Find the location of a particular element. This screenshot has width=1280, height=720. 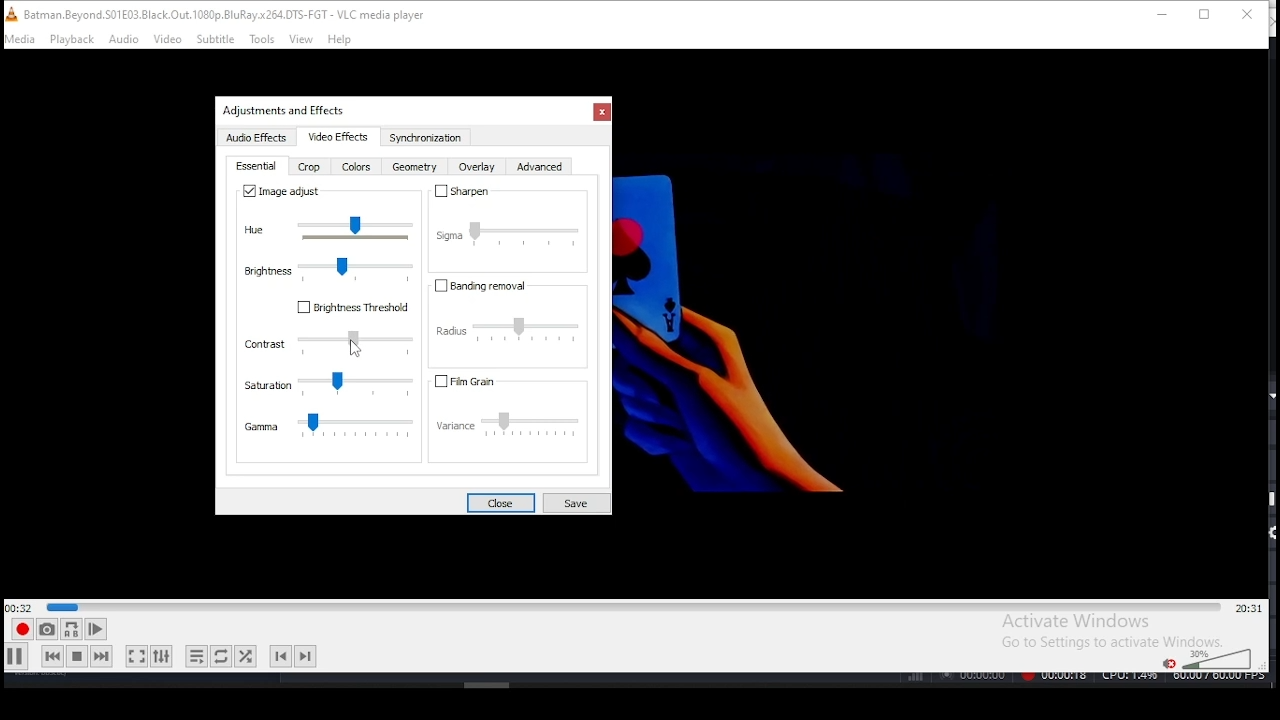

restore is located at coordinates (1204, 16).